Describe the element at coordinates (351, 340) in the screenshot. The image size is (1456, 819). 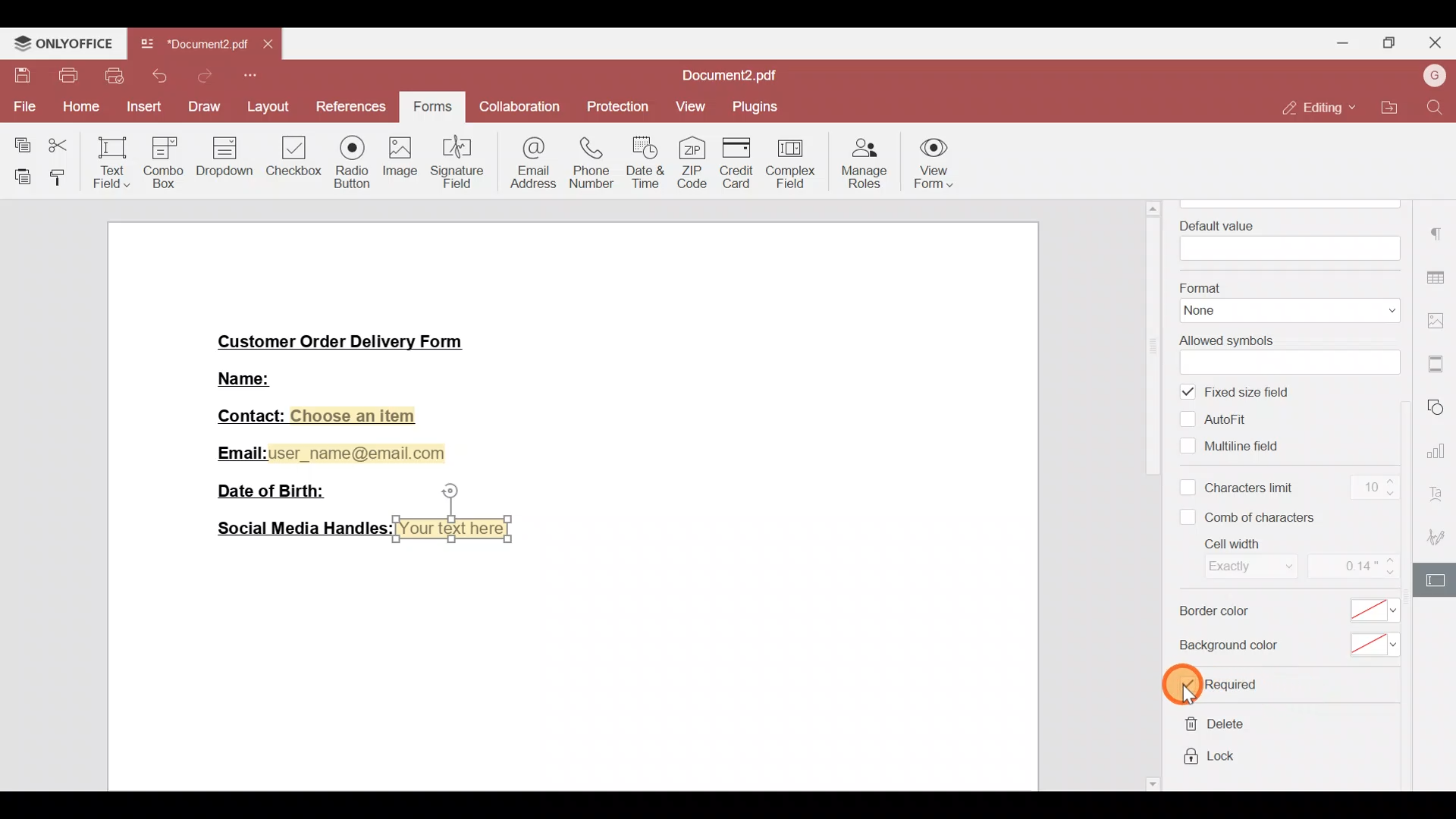
I see `Customer Order Delivery Form` at that location.